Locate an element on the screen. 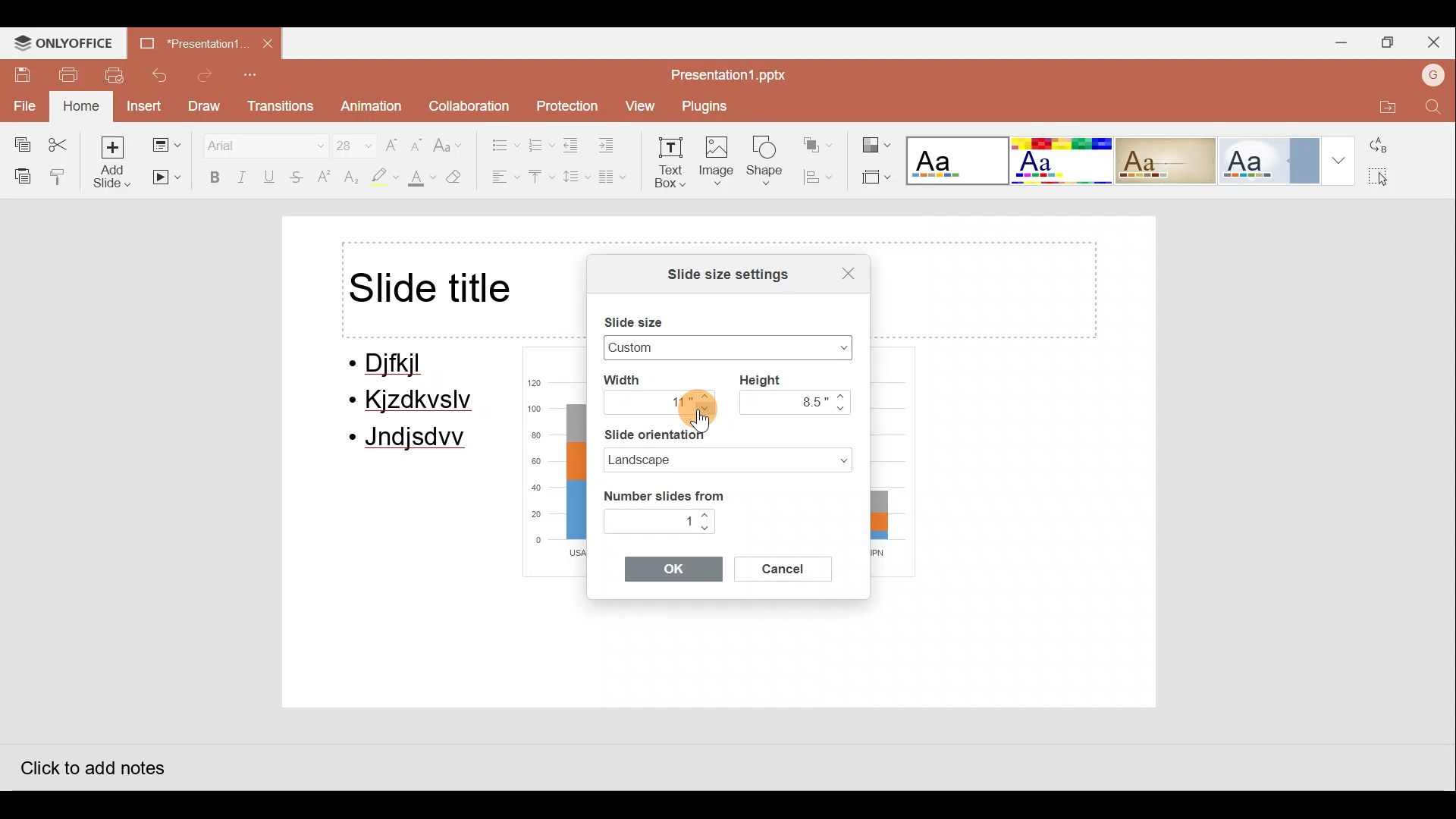 The image size is (1456, 819). Close is located at coordinates (841, 271).